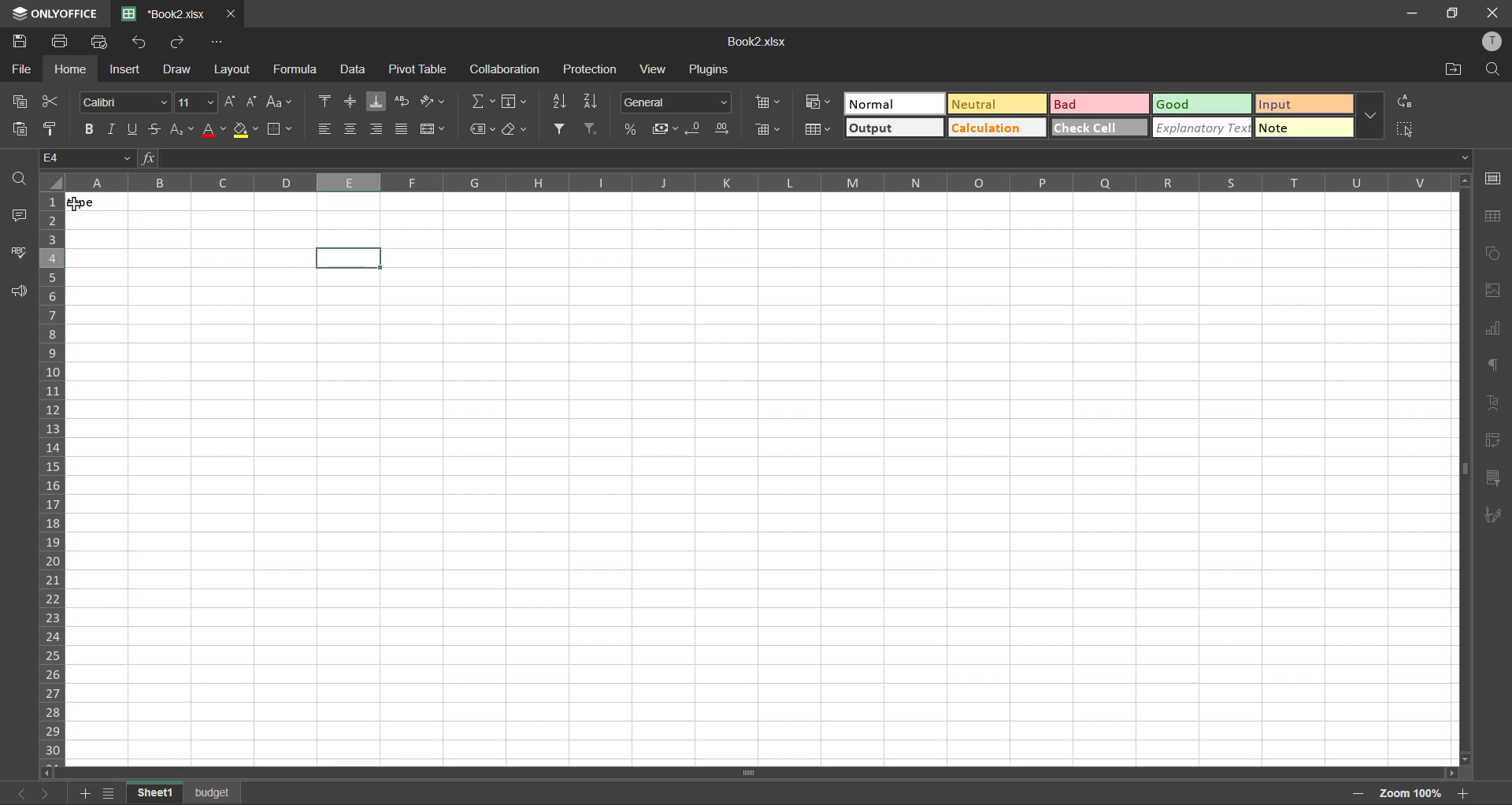 This screenshot has height=805, width=1512. Describe the element at coordinates (1304, 128) in the screenshot. I see `note` at that location.